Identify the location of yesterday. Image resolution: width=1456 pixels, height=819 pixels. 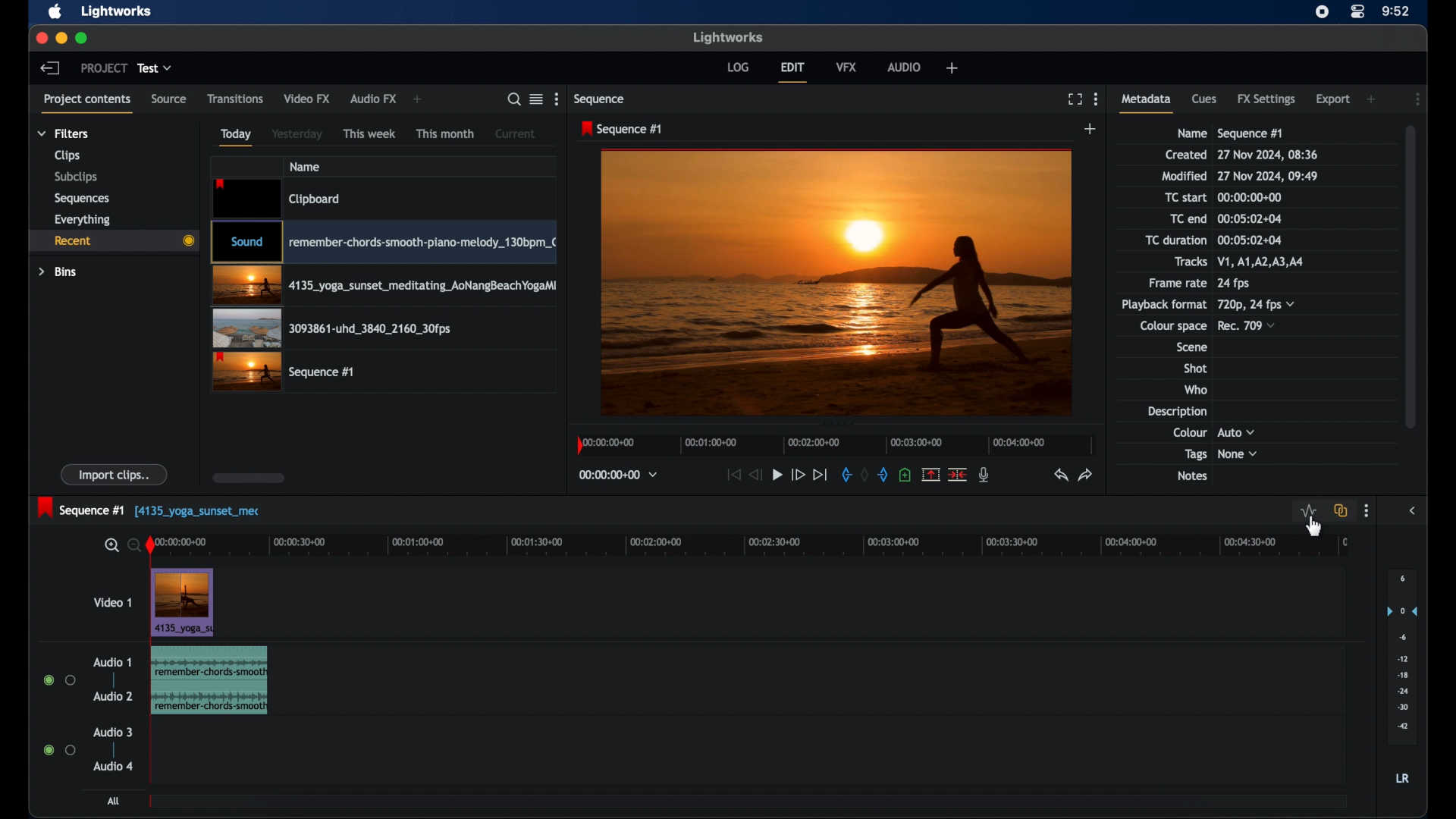
(297, 133).